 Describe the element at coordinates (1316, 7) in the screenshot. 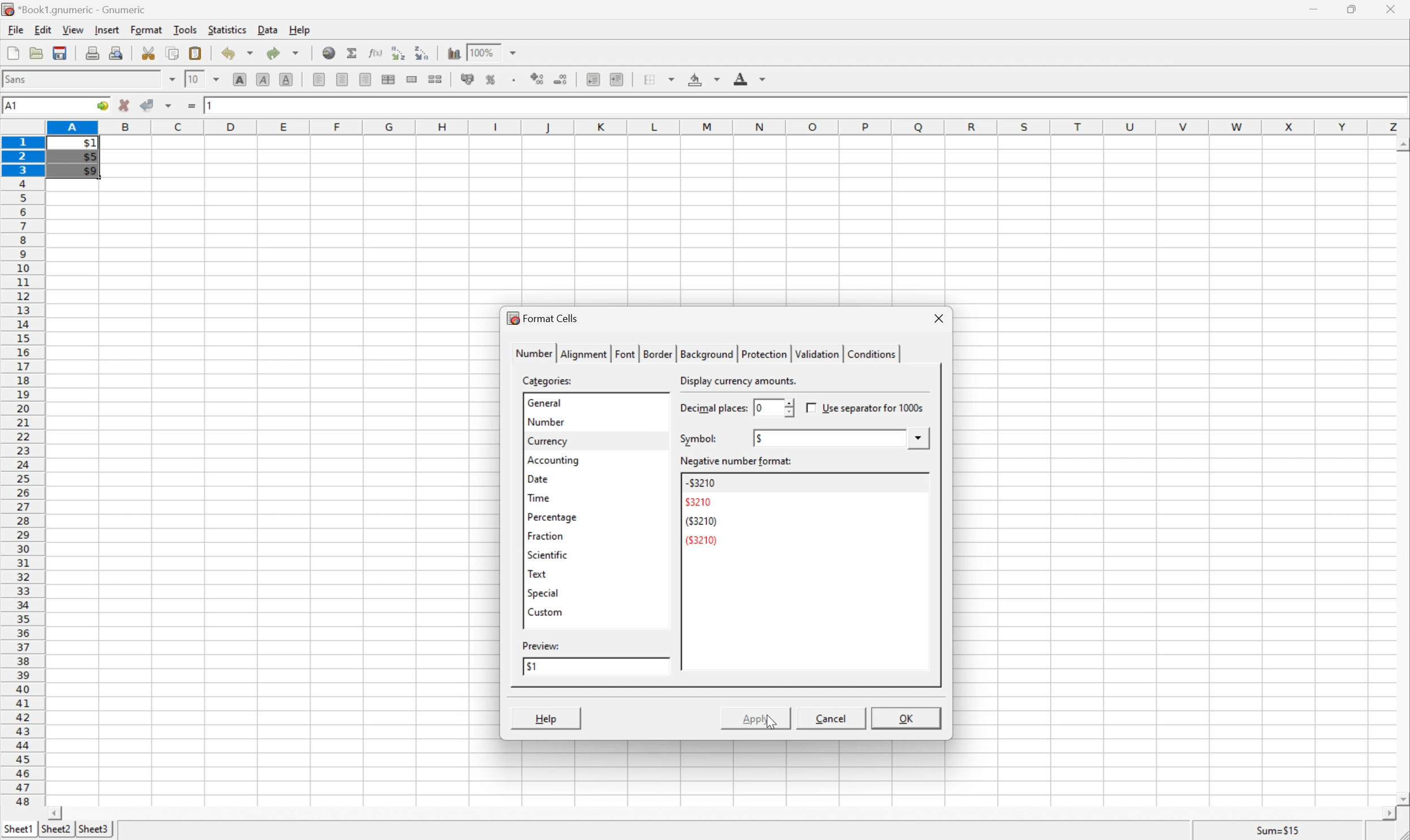

I see `minimize` at that location.